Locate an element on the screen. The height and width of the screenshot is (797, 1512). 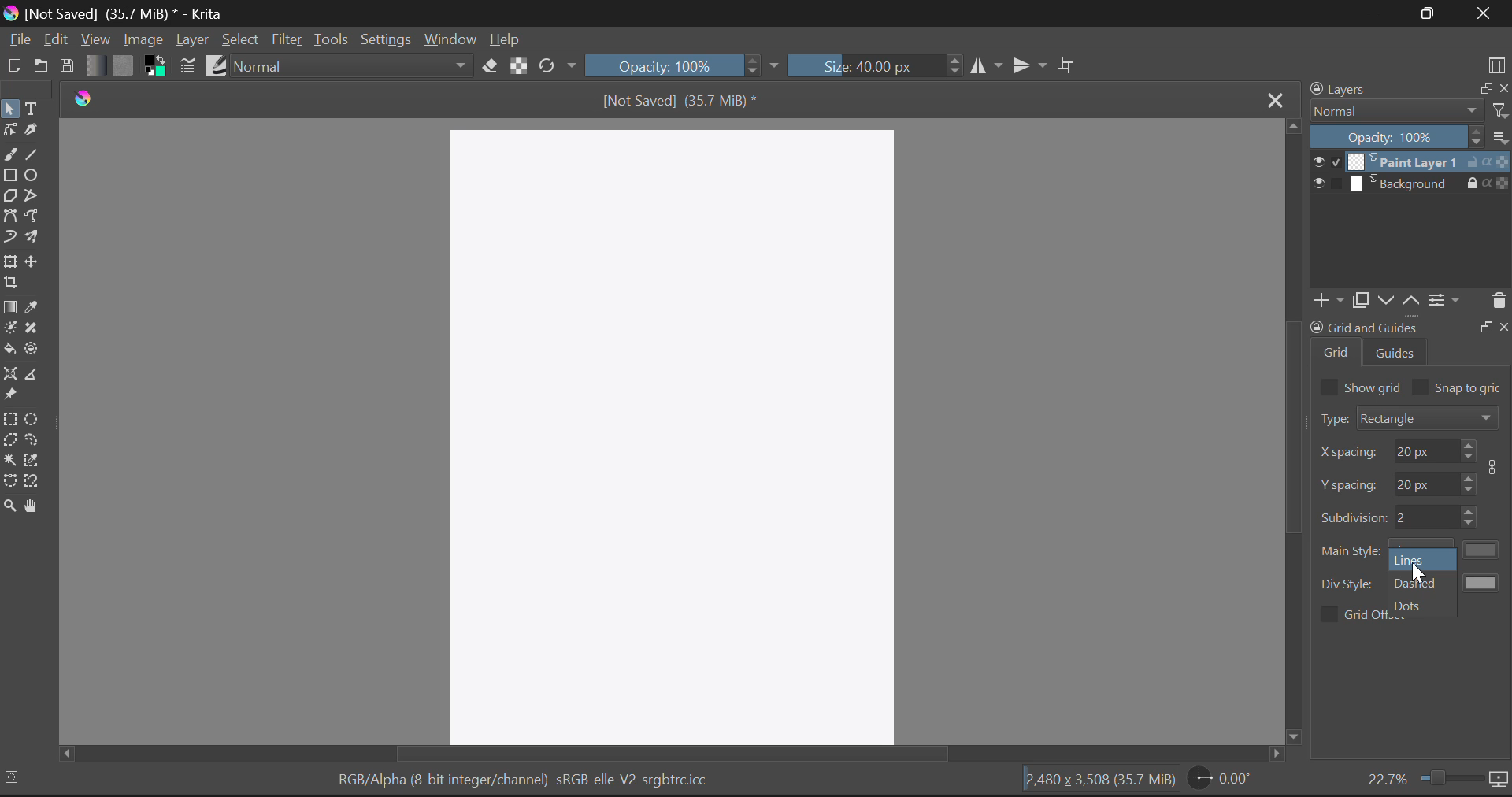
sub division is located at coordinates (1353, 516).